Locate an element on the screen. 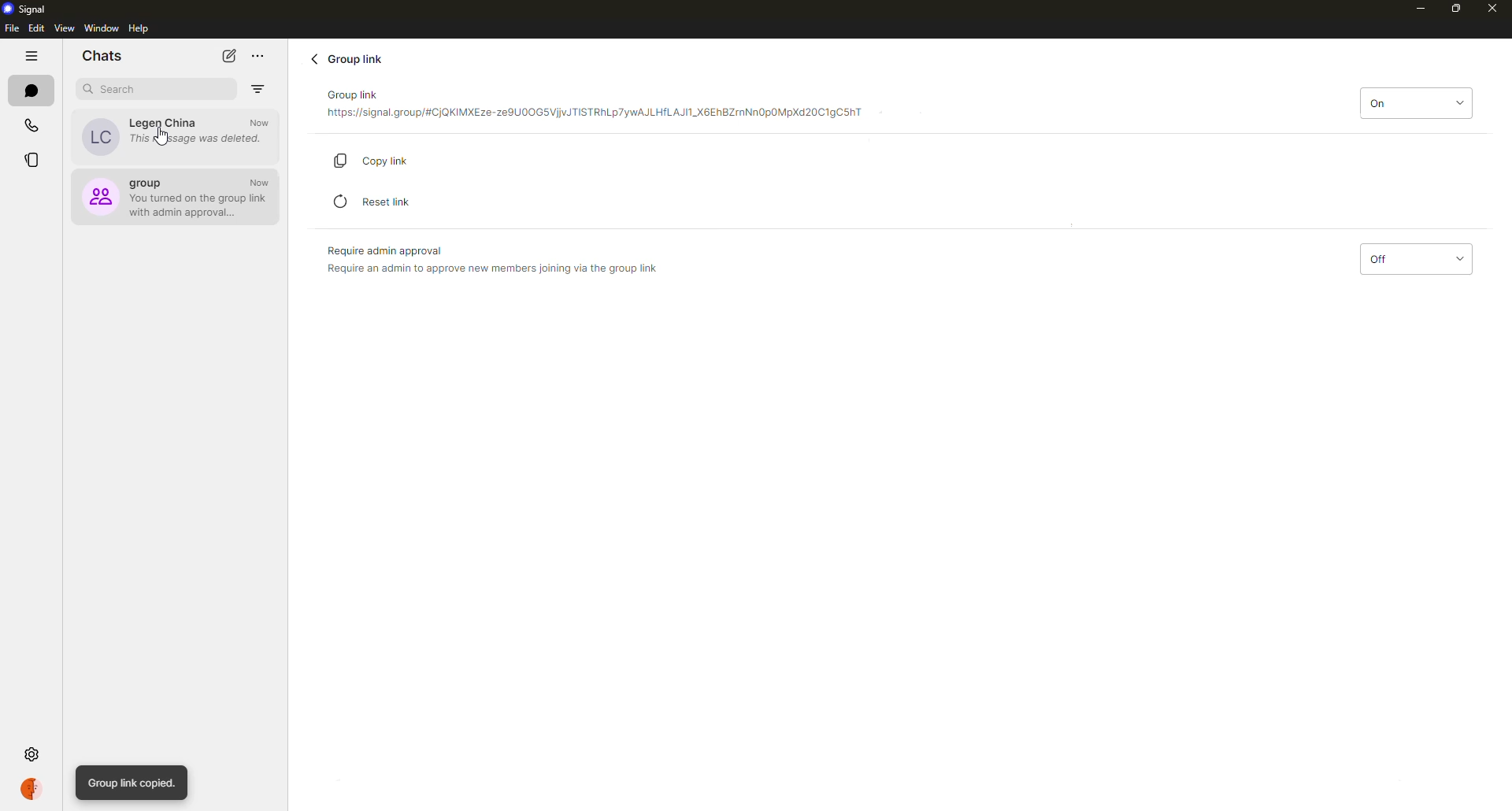 The height and width of the screenshot is (811, 1512). profile is located at coordinates (34, 788).